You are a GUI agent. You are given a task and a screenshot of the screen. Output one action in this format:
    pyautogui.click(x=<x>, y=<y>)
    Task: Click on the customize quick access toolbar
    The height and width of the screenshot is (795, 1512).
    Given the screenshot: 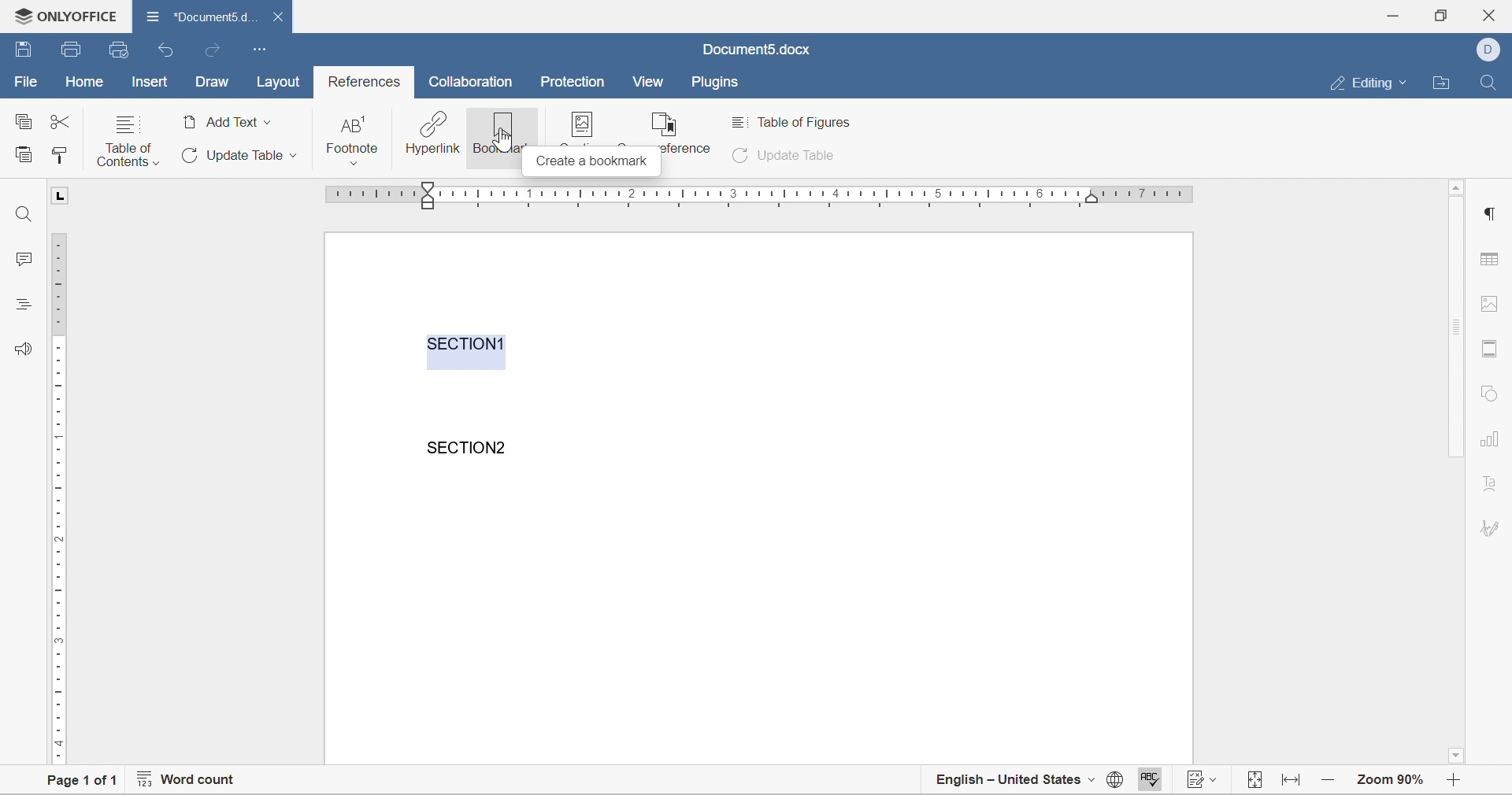 What is the action you would take?
    pyautogui.click(x=261, y=48)
    